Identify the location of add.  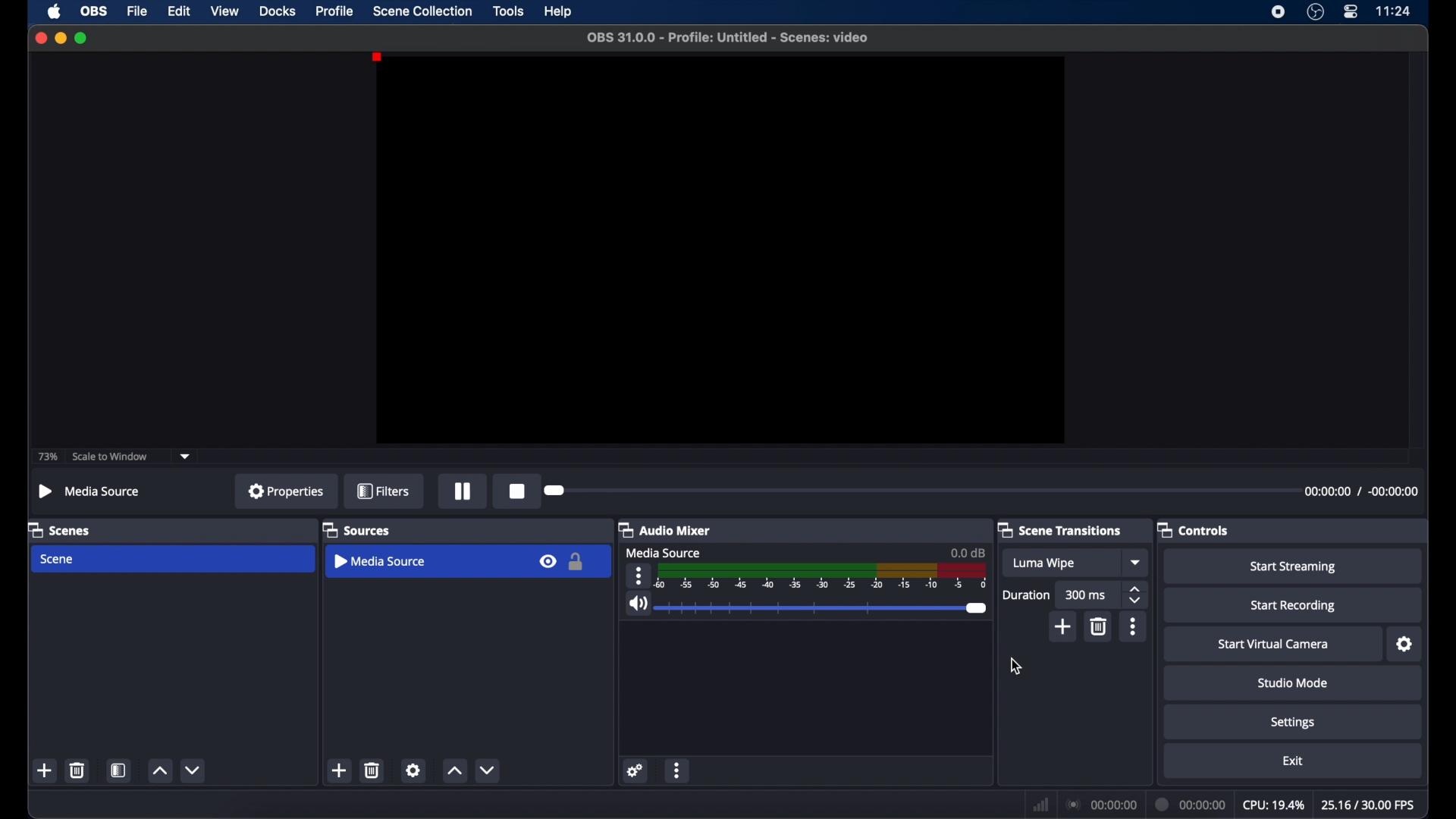
(337, 770).